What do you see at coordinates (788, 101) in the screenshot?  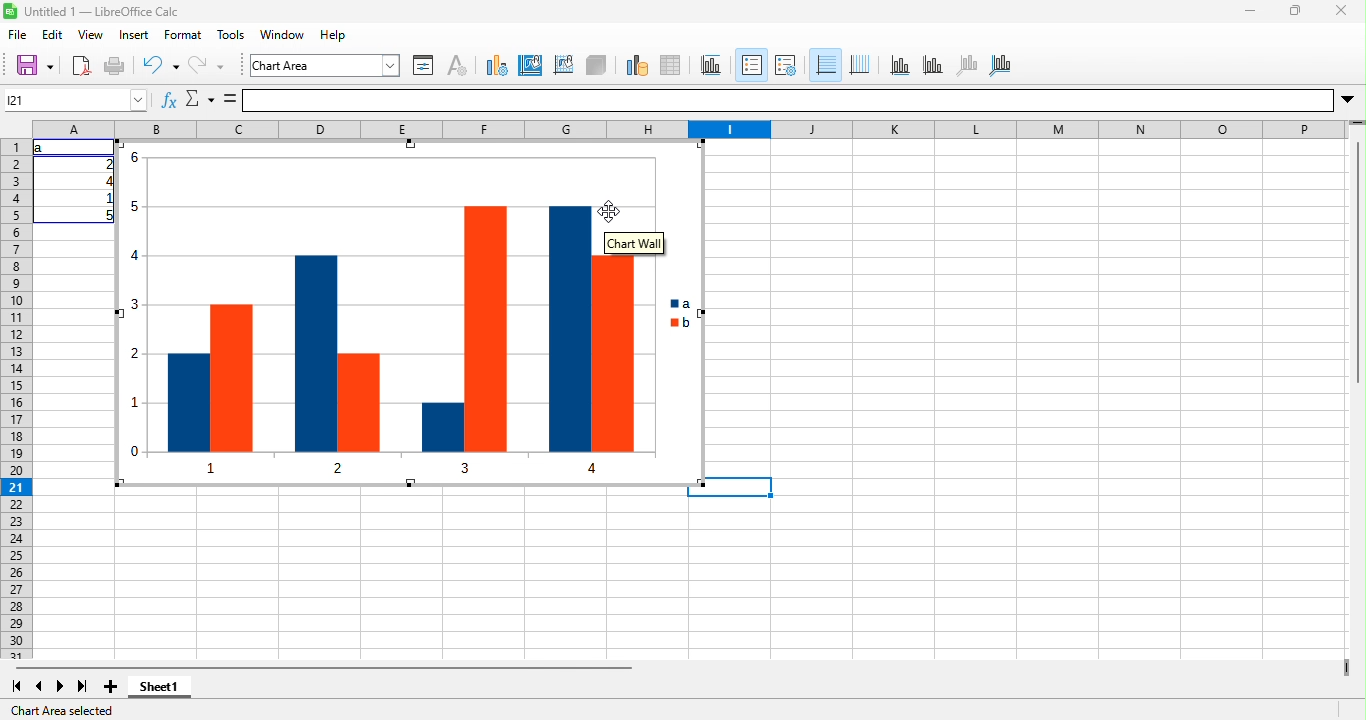 I see `formula bar` at bounding box center [788, 101].